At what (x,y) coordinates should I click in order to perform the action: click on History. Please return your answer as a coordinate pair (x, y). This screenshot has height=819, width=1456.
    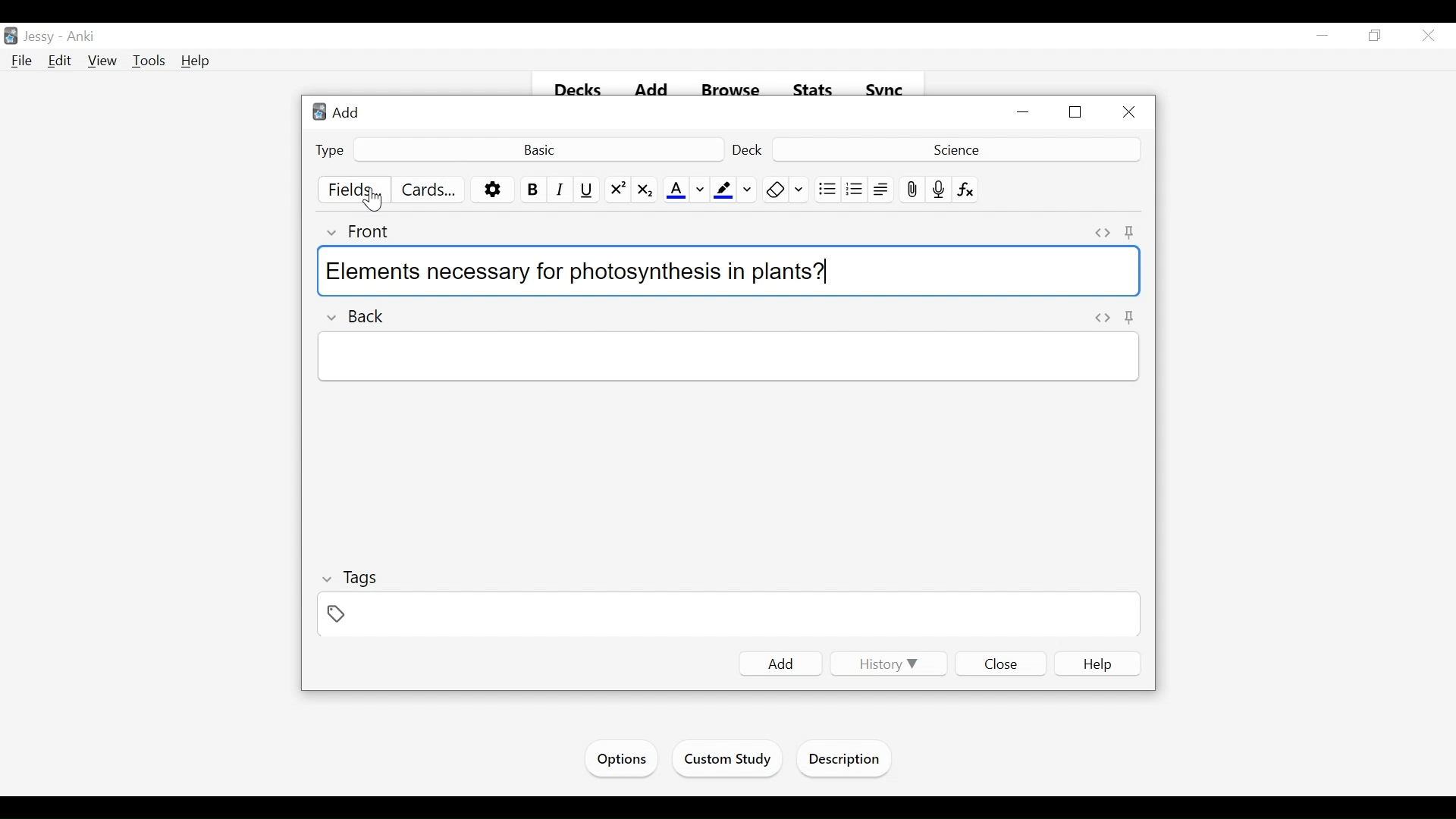
    Looking at the image, I should click on (886, 664).